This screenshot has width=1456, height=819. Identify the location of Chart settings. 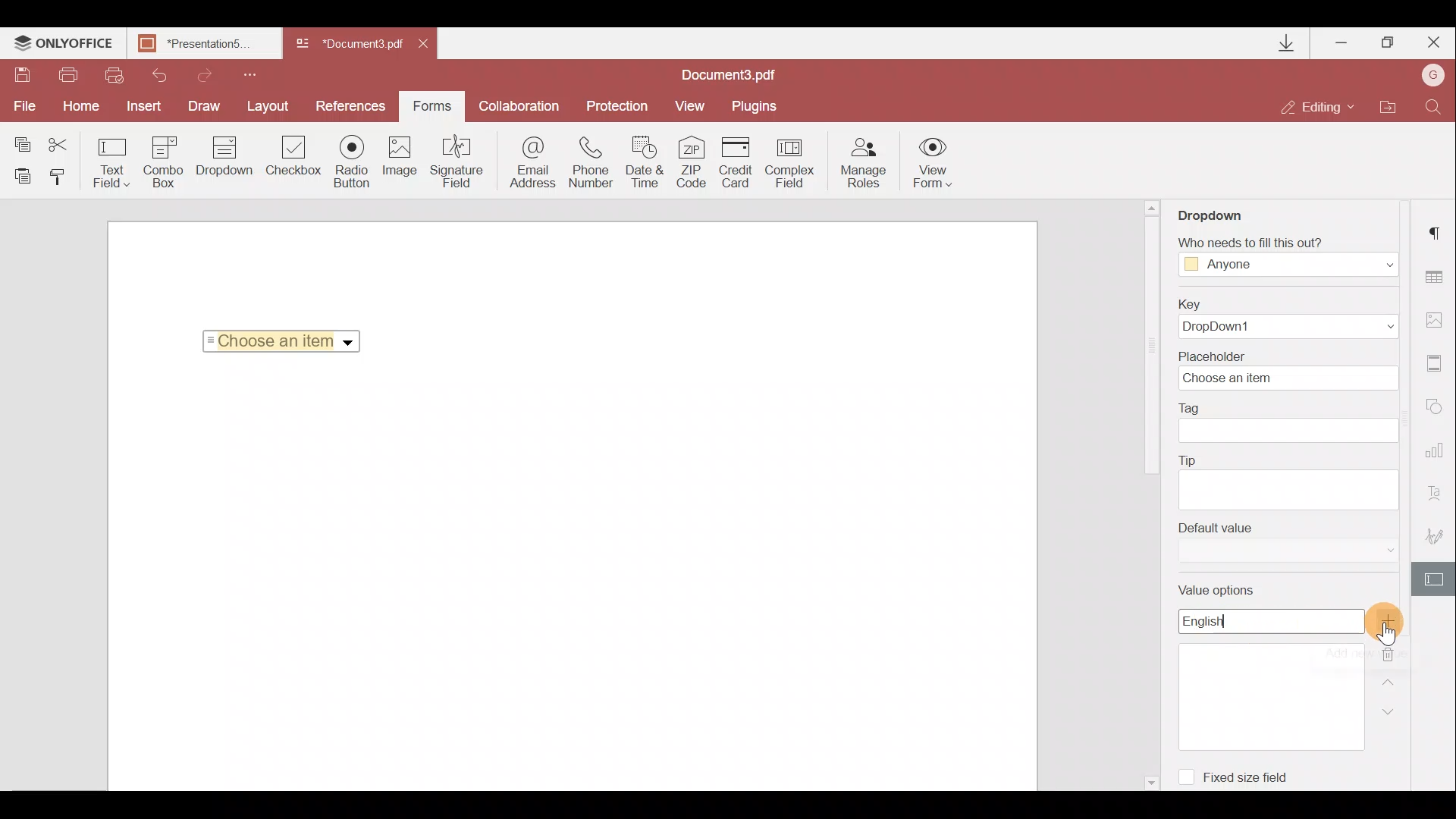
(1437, 457).